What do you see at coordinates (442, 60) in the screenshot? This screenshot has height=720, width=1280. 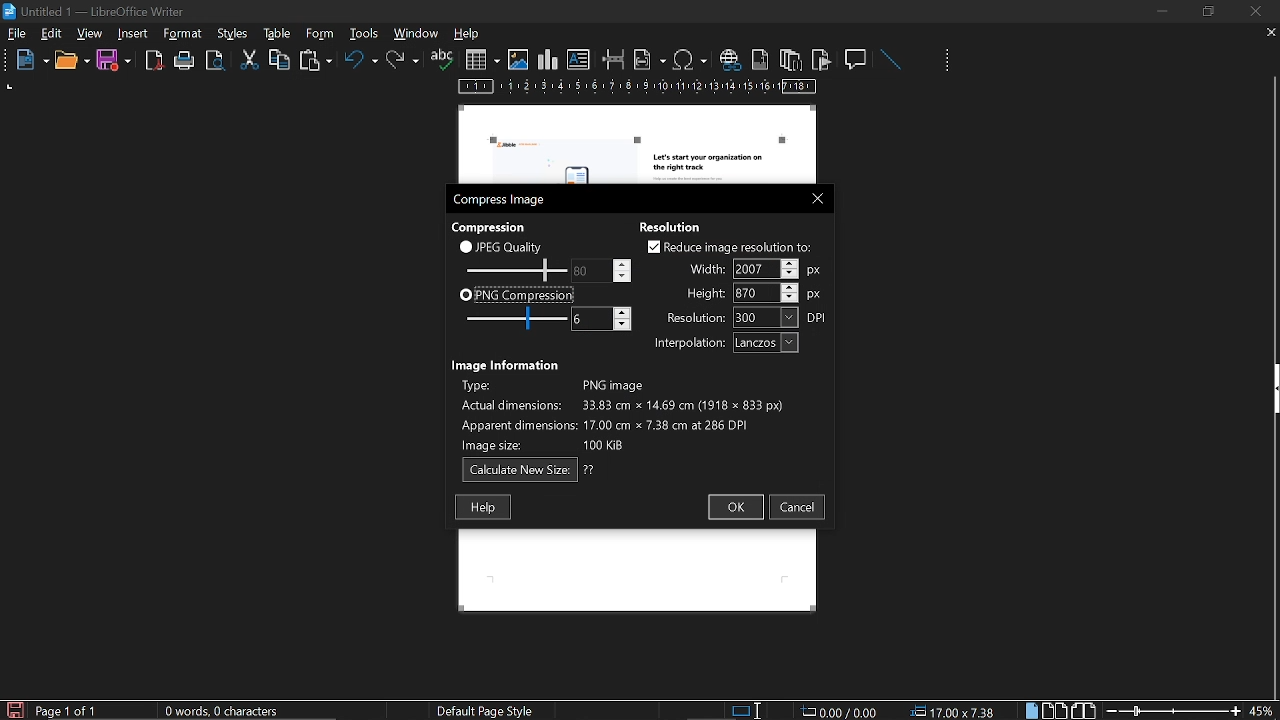 I see `spelling` at bounding box center [442, 60].